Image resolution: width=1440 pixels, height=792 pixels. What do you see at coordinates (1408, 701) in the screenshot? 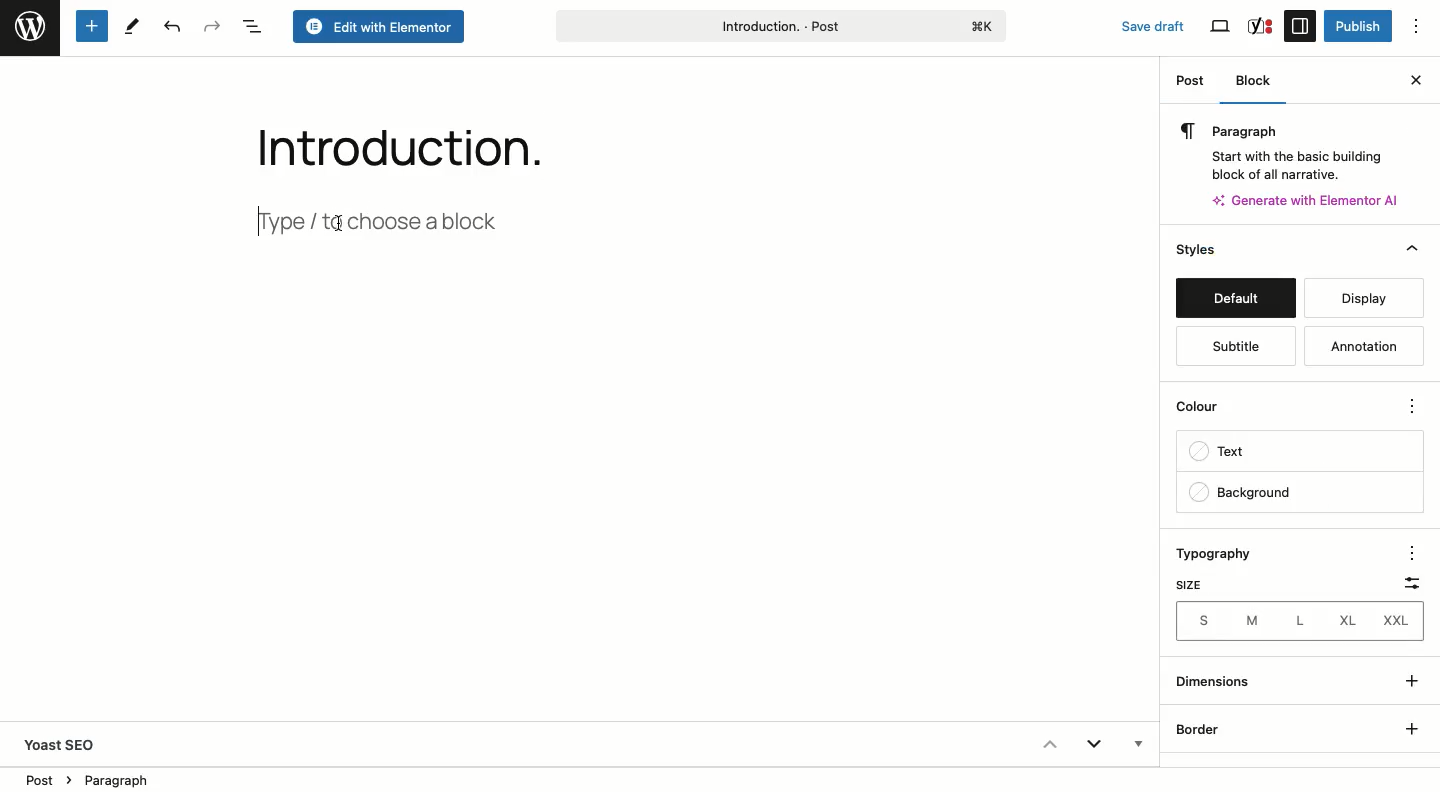
I see `Show` at bounding box center [1408, 701].